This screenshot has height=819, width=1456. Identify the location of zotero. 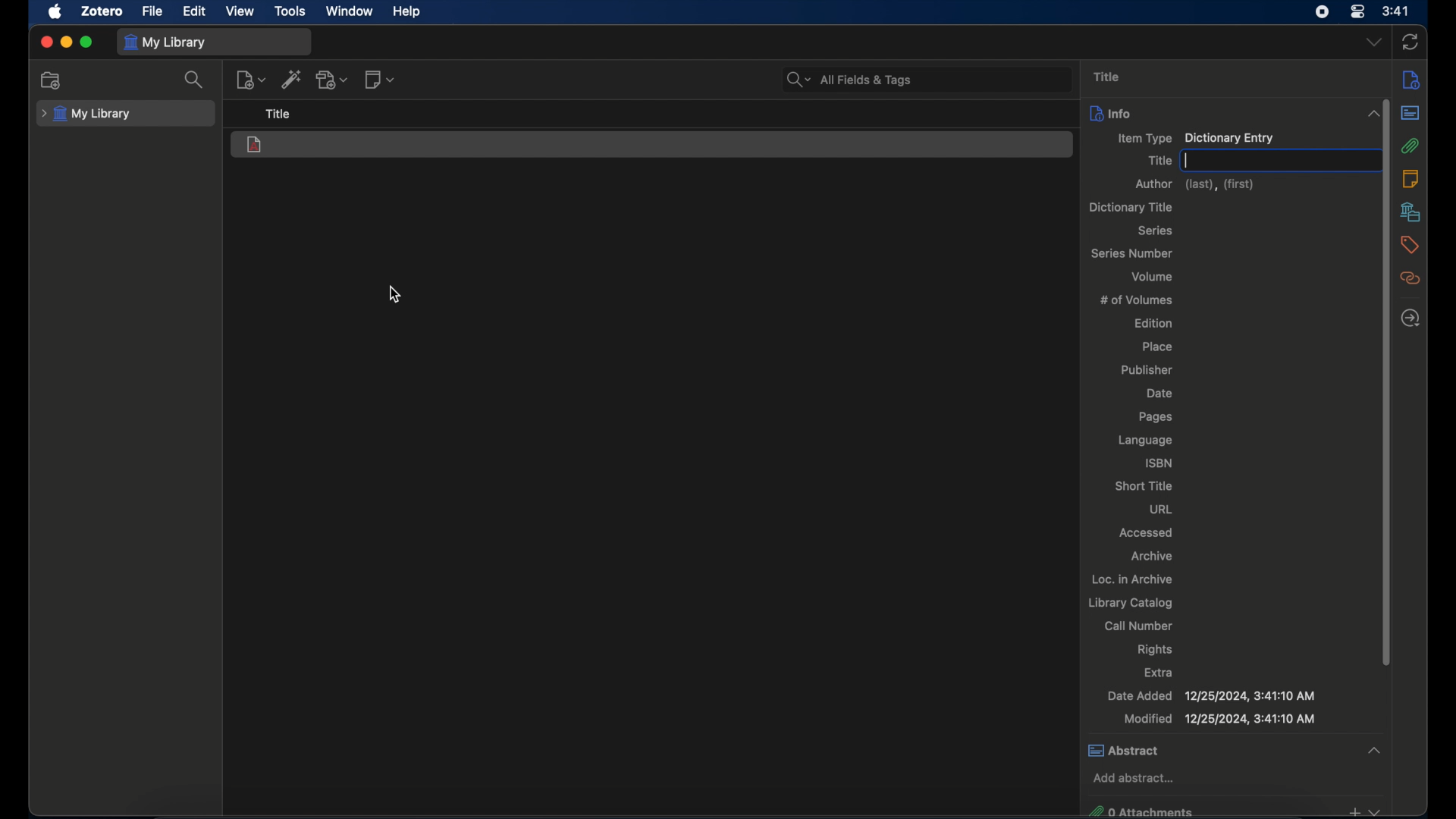
(103, 11).